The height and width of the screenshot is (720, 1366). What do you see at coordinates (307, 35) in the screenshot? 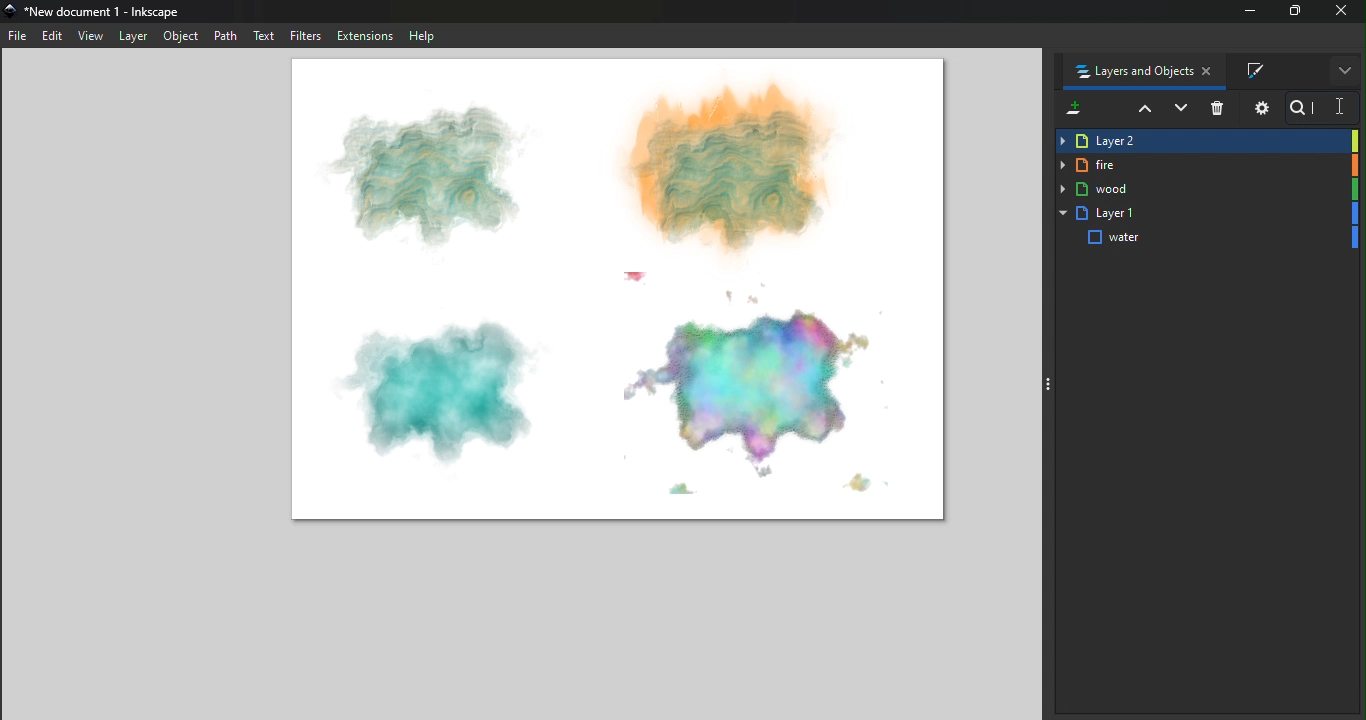
I see `Filters` at bounding box center [307, 35].